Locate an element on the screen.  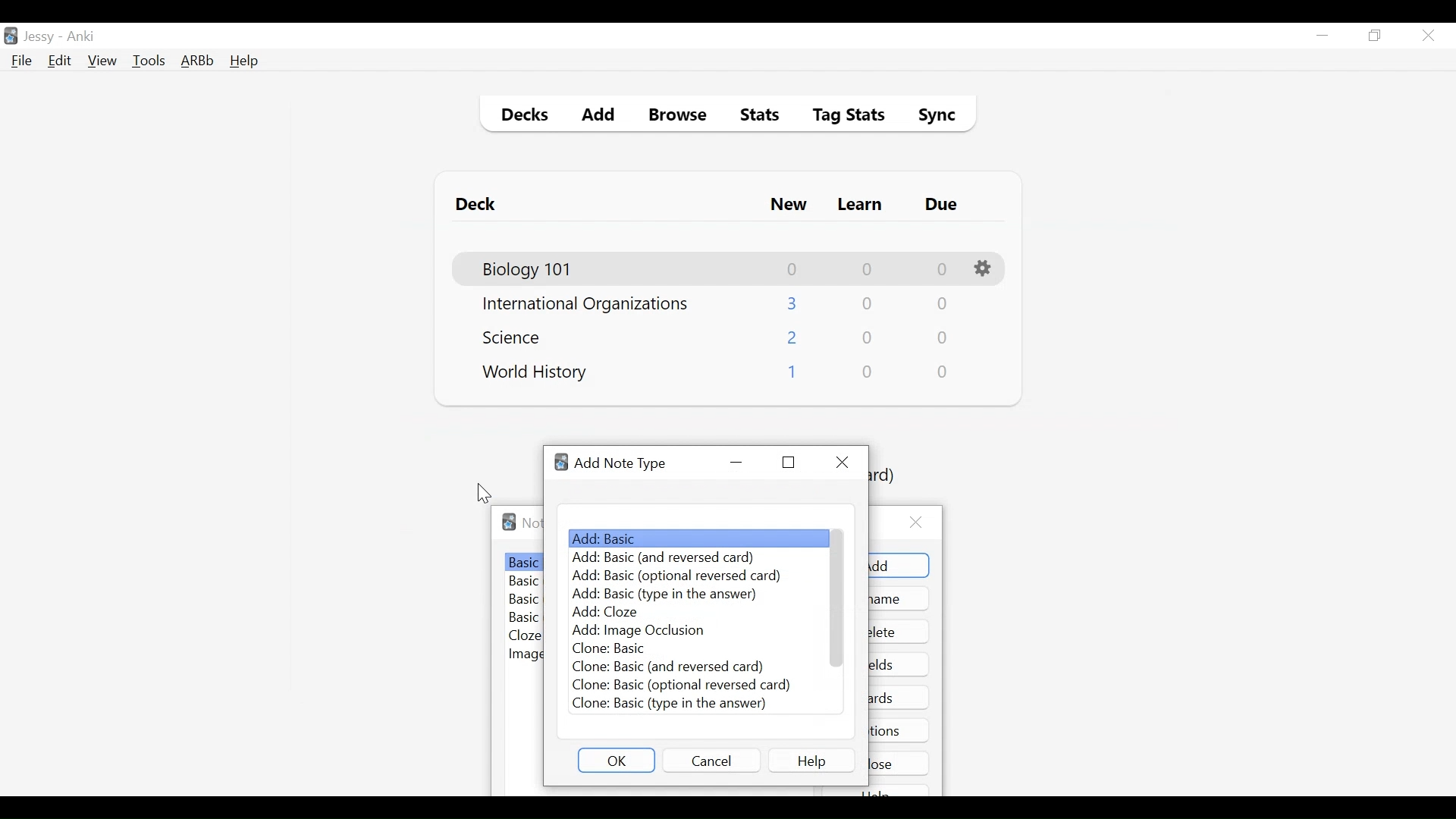
OK is located at coordinates (617, 760).